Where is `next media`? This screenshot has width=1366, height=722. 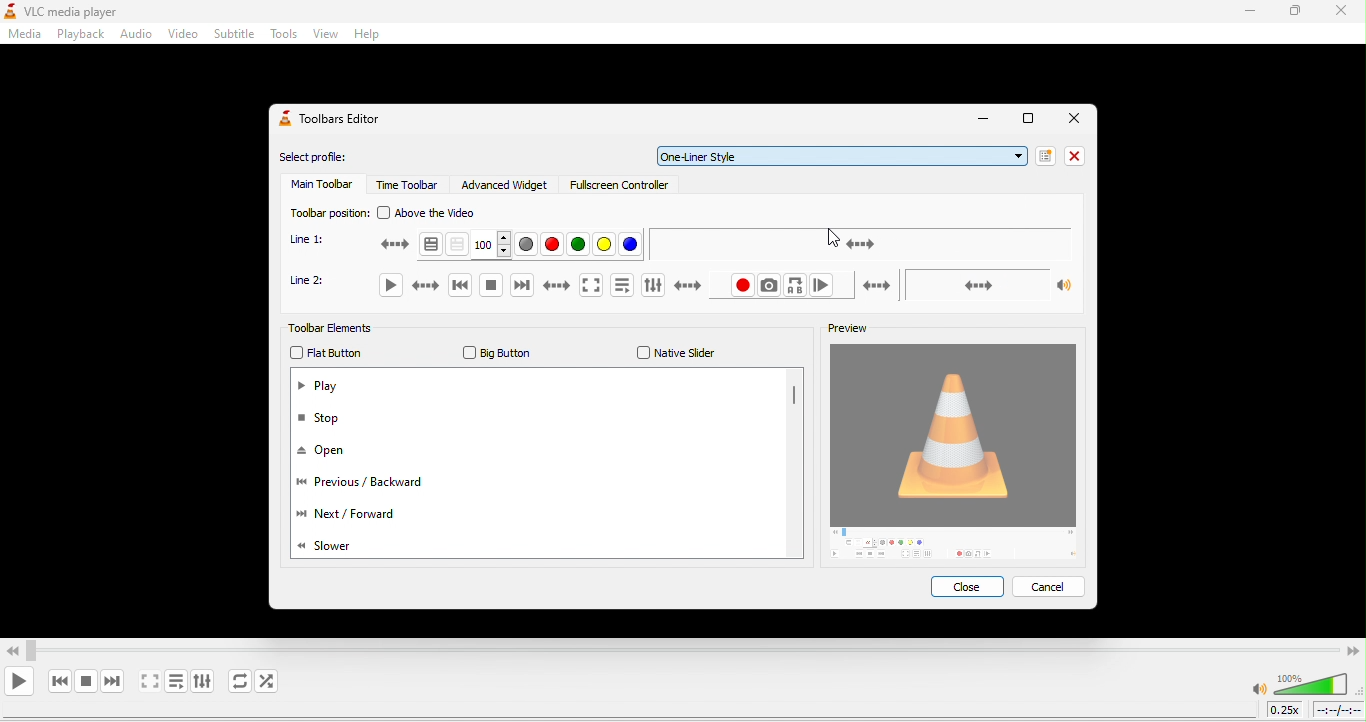 next media is located at coordinates (521, 283).